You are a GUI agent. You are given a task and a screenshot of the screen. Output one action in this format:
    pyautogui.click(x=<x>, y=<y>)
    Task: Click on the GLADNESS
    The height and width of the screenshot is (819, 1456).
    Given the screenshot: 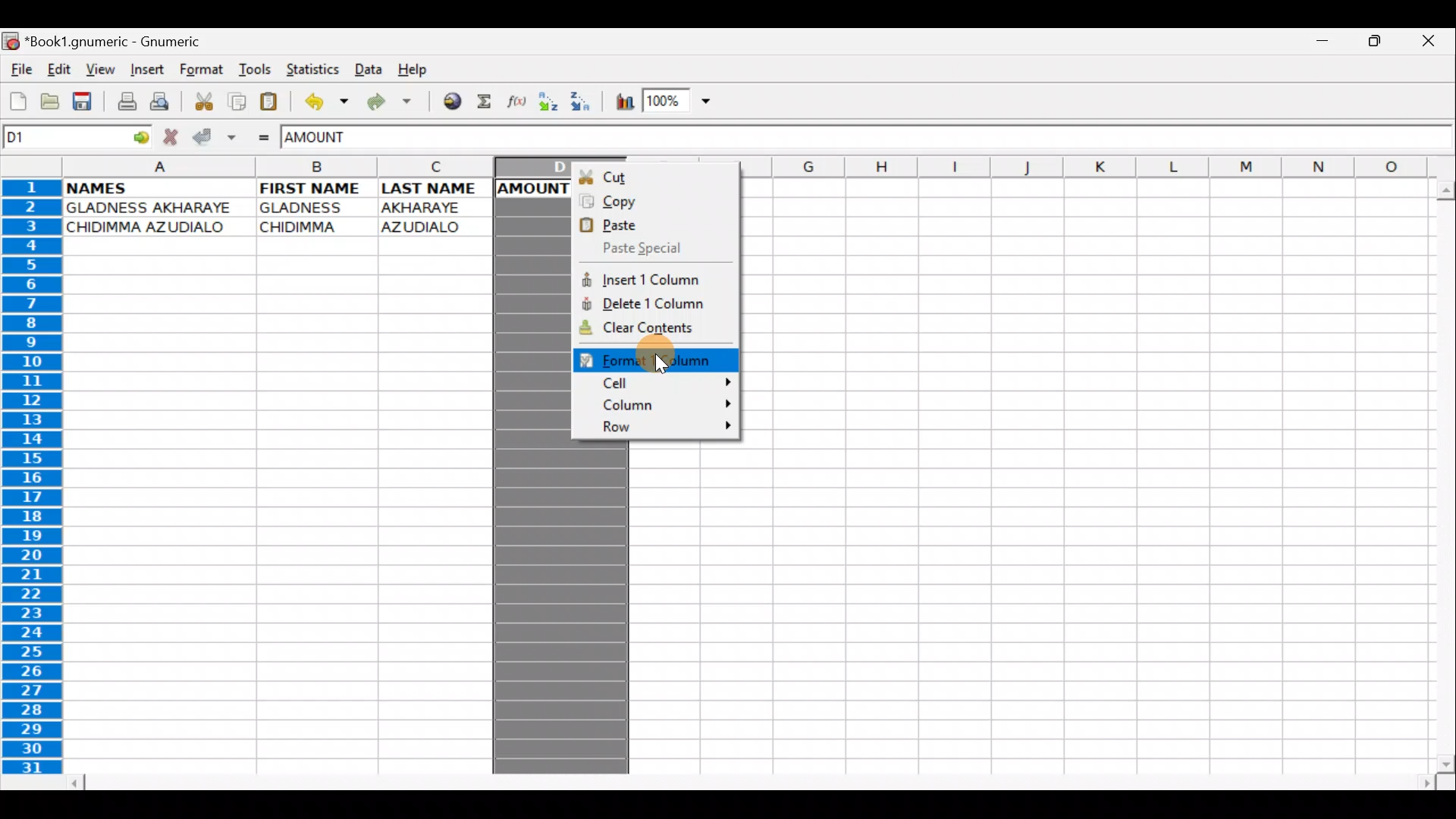 What is the action you would take?
    pyautogui.click(x=312, y=208)
    